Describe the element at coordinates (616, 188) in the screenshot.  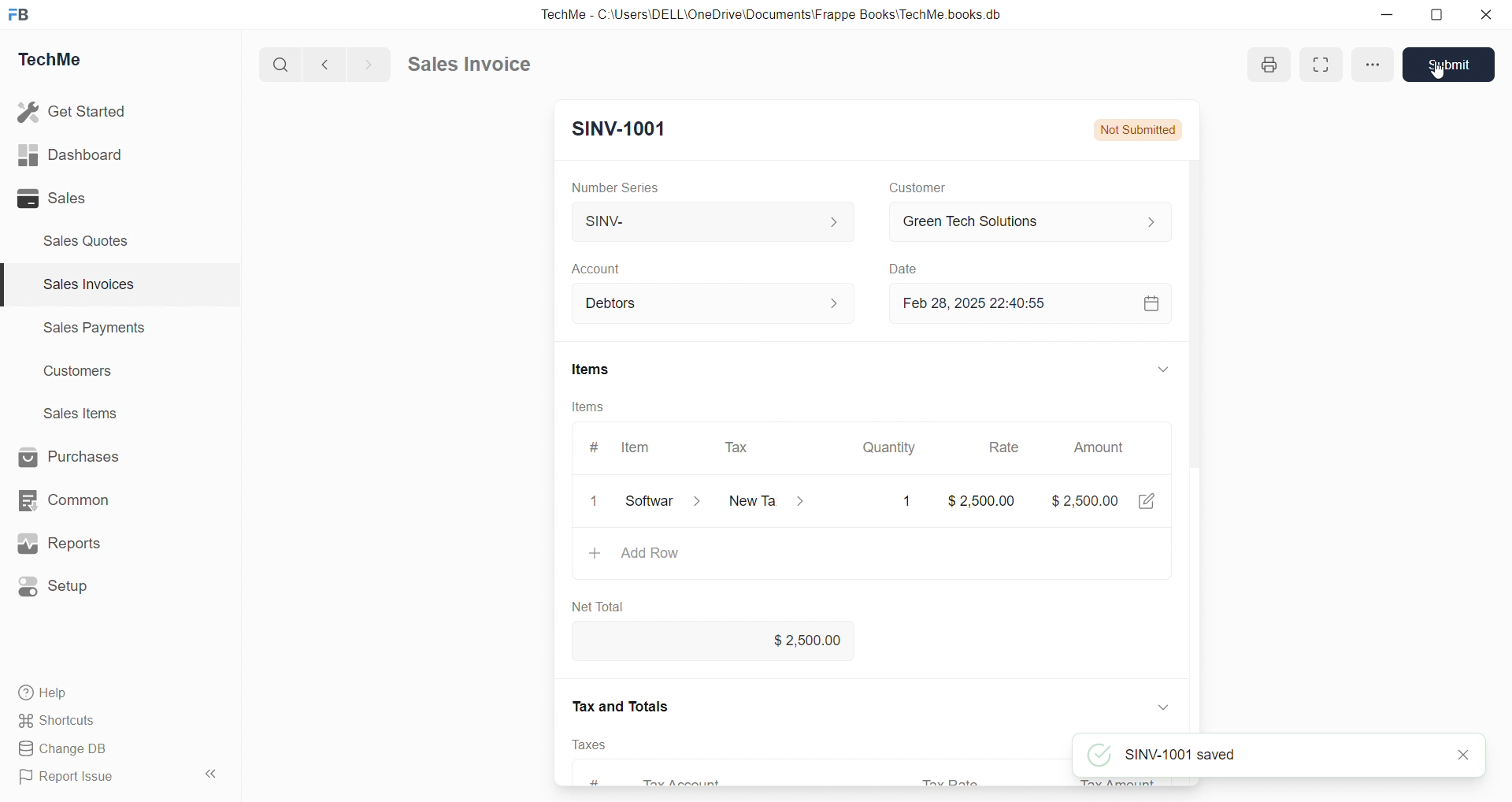
I see `Number Series` at that location.